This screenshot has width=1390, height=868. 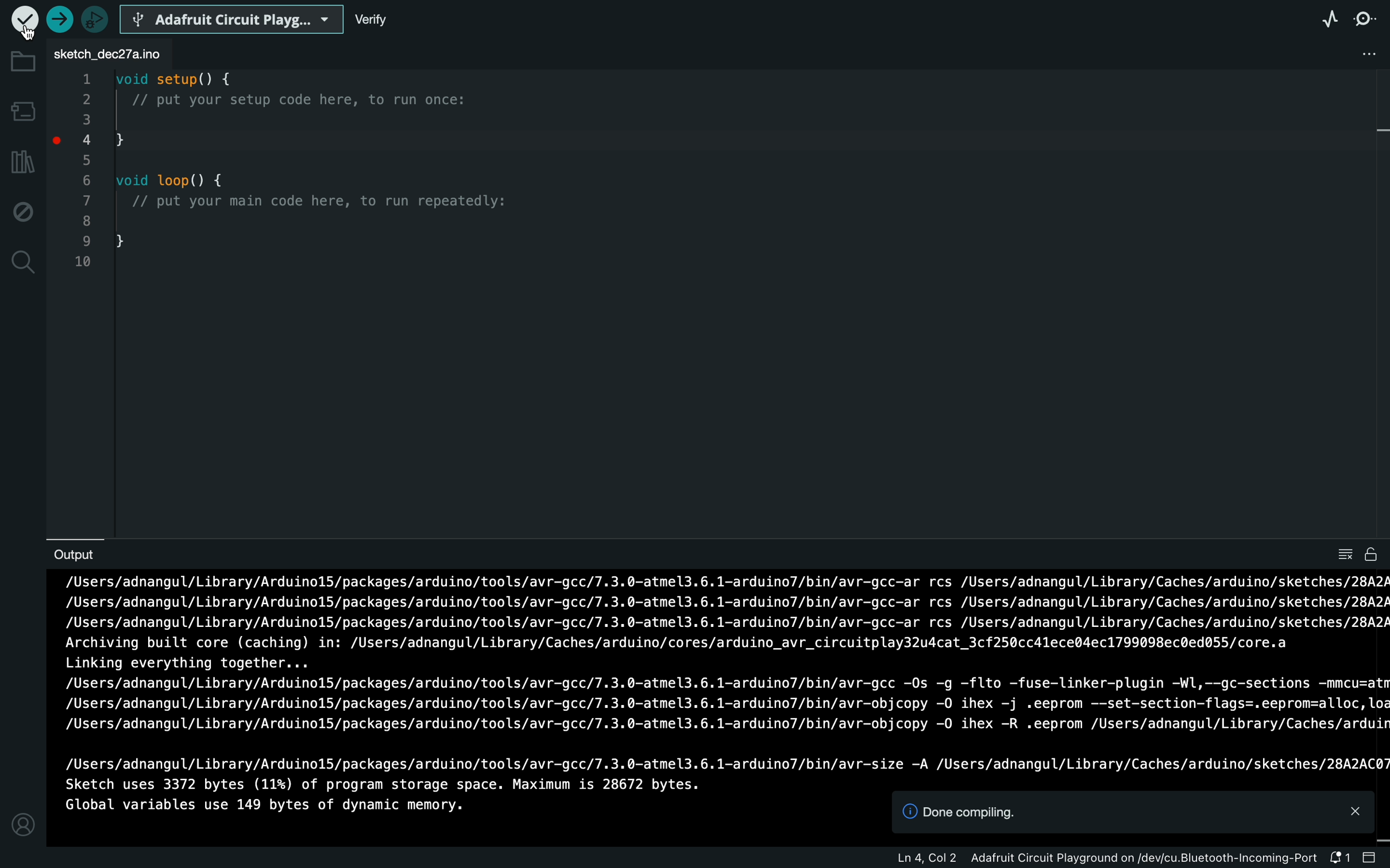 I want to click on upload, so click(x=59, y=19).